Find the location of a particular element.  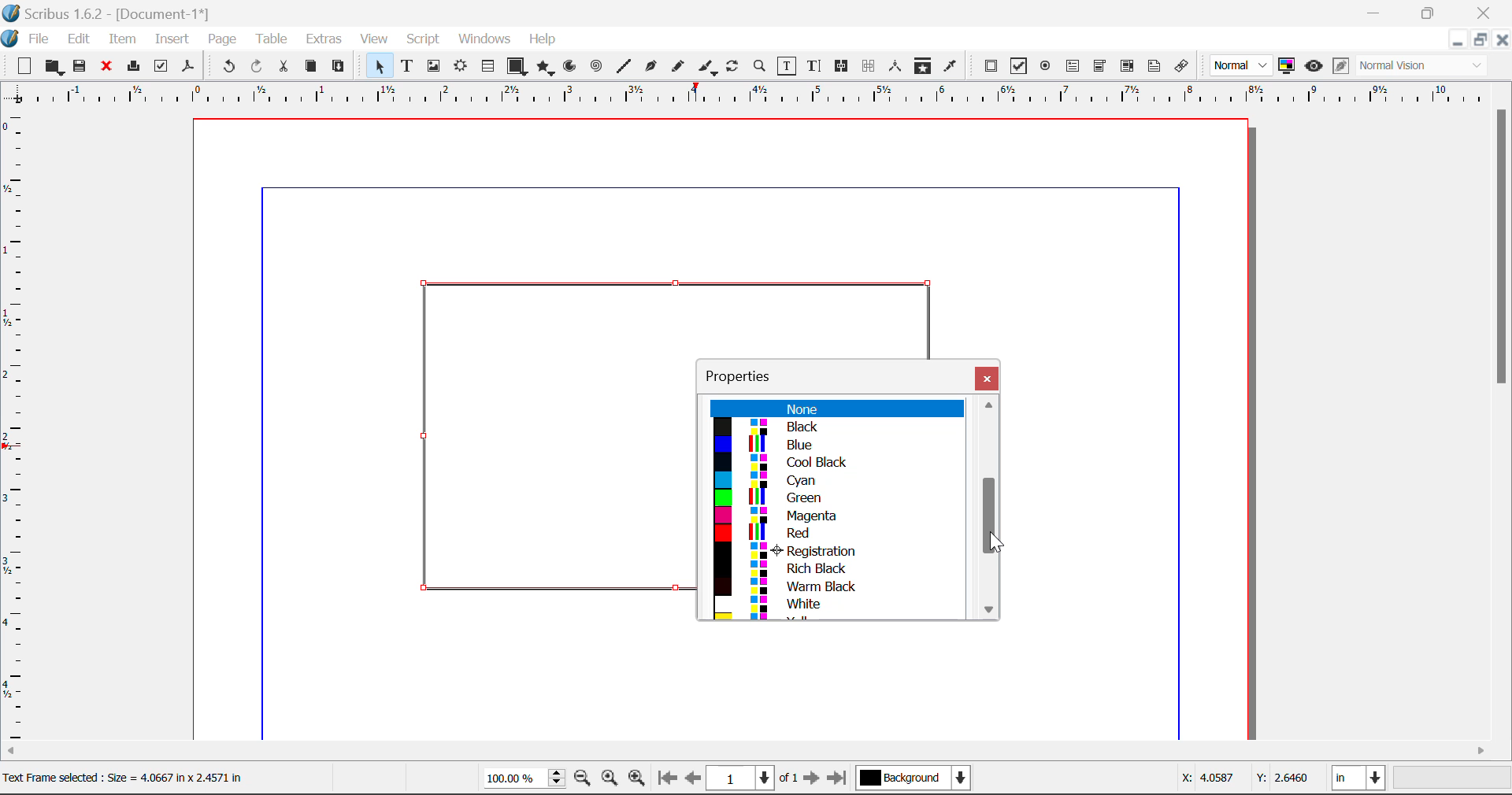

Open is located at coordinates (54, 67).